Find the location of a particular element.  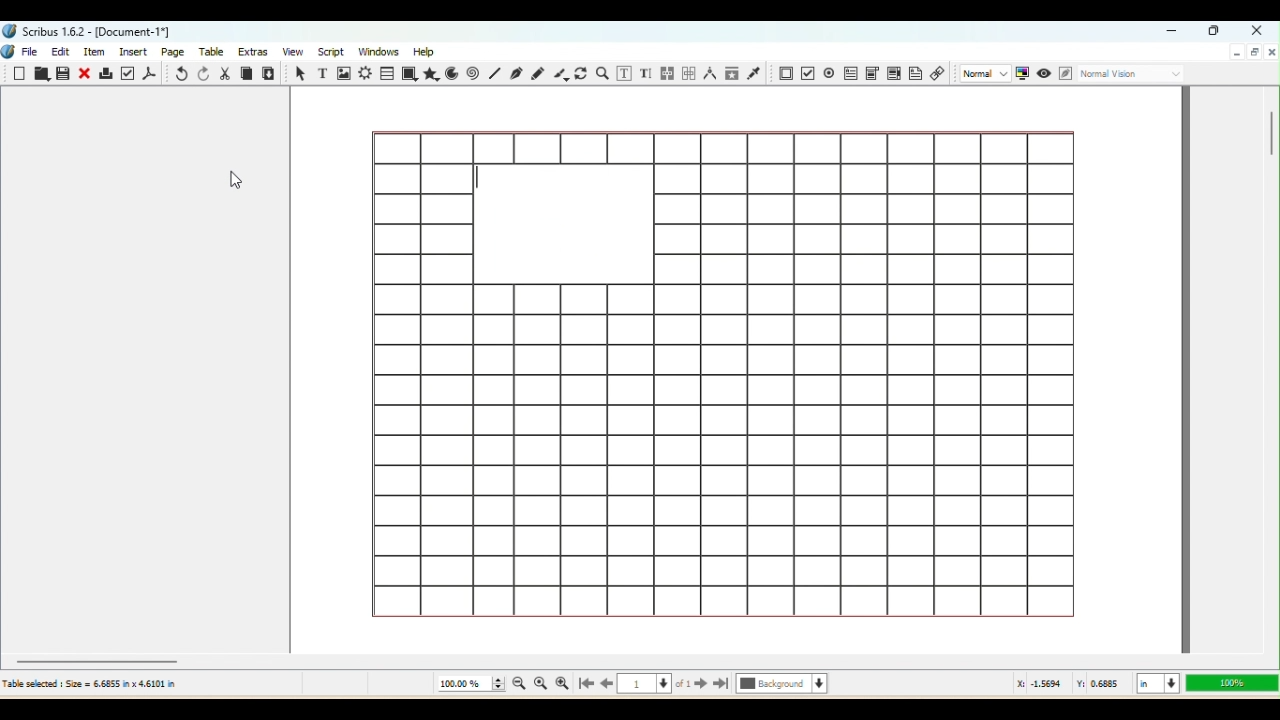

cursor is located at coordinates (234, 180).